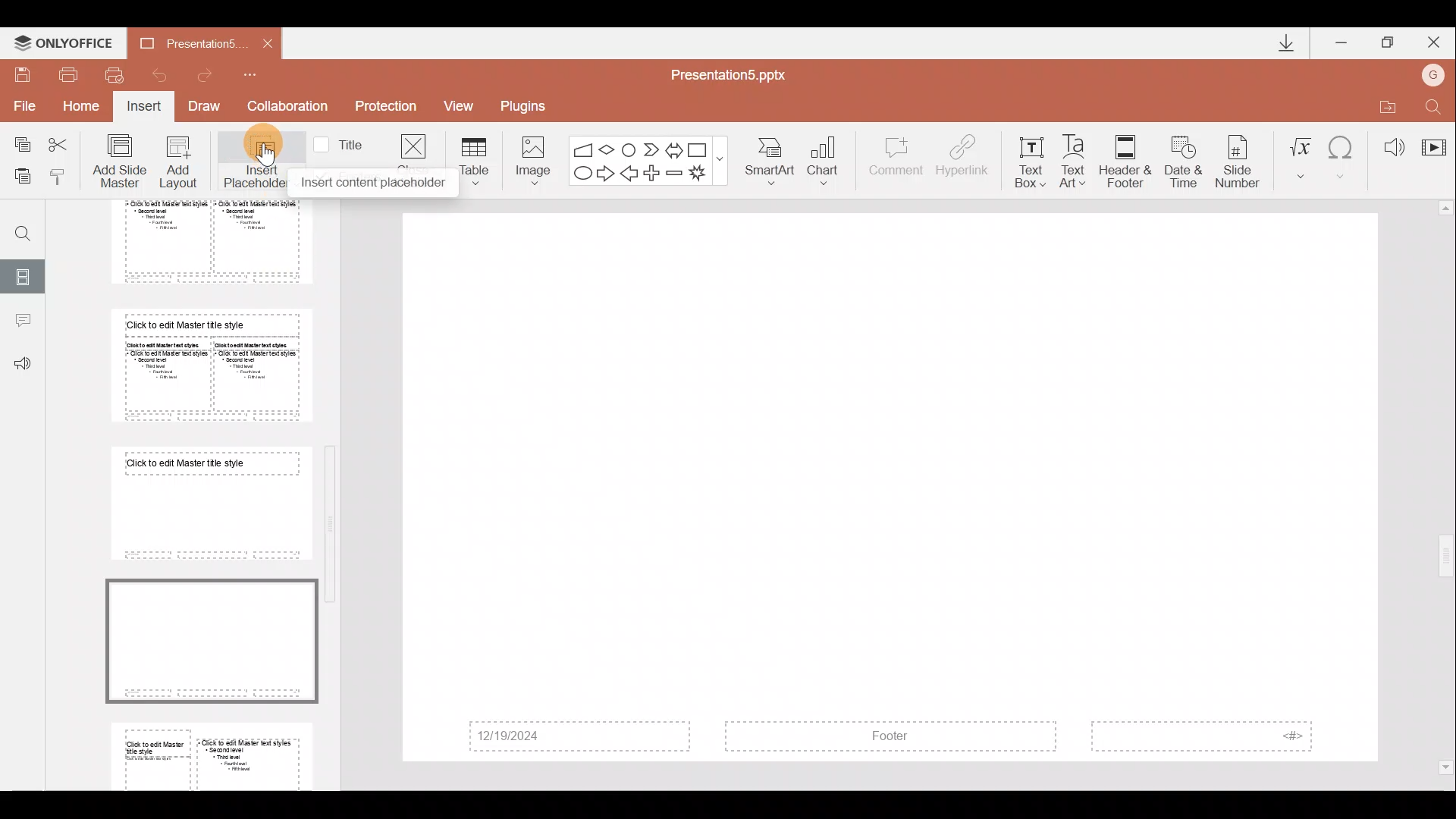  What do you see at coordinates (582, 147) in the screenshot?
I see `Flowchart - manual input` at bounding box center [582, 147].